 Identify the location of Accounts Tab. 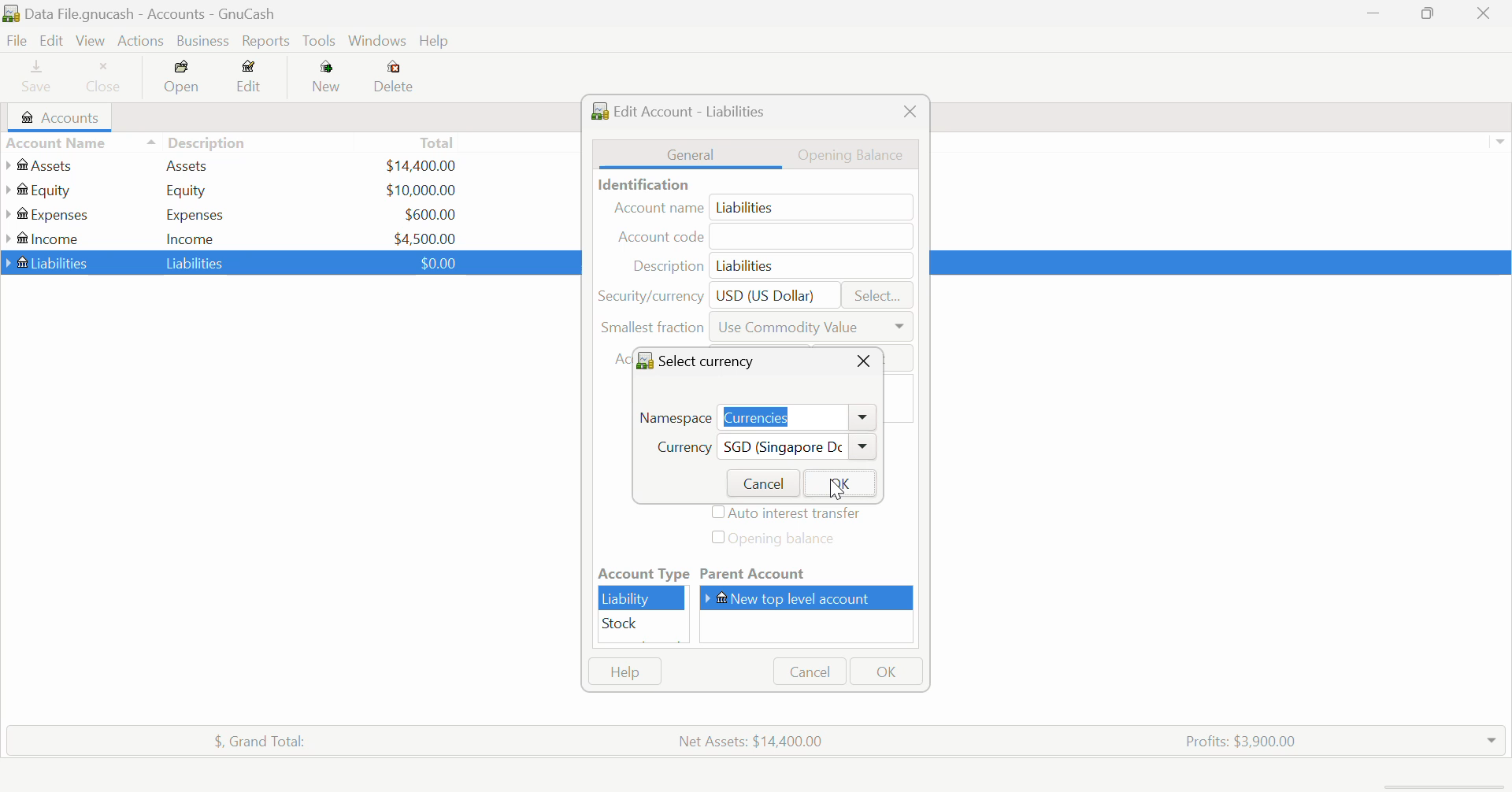
(65, 117).